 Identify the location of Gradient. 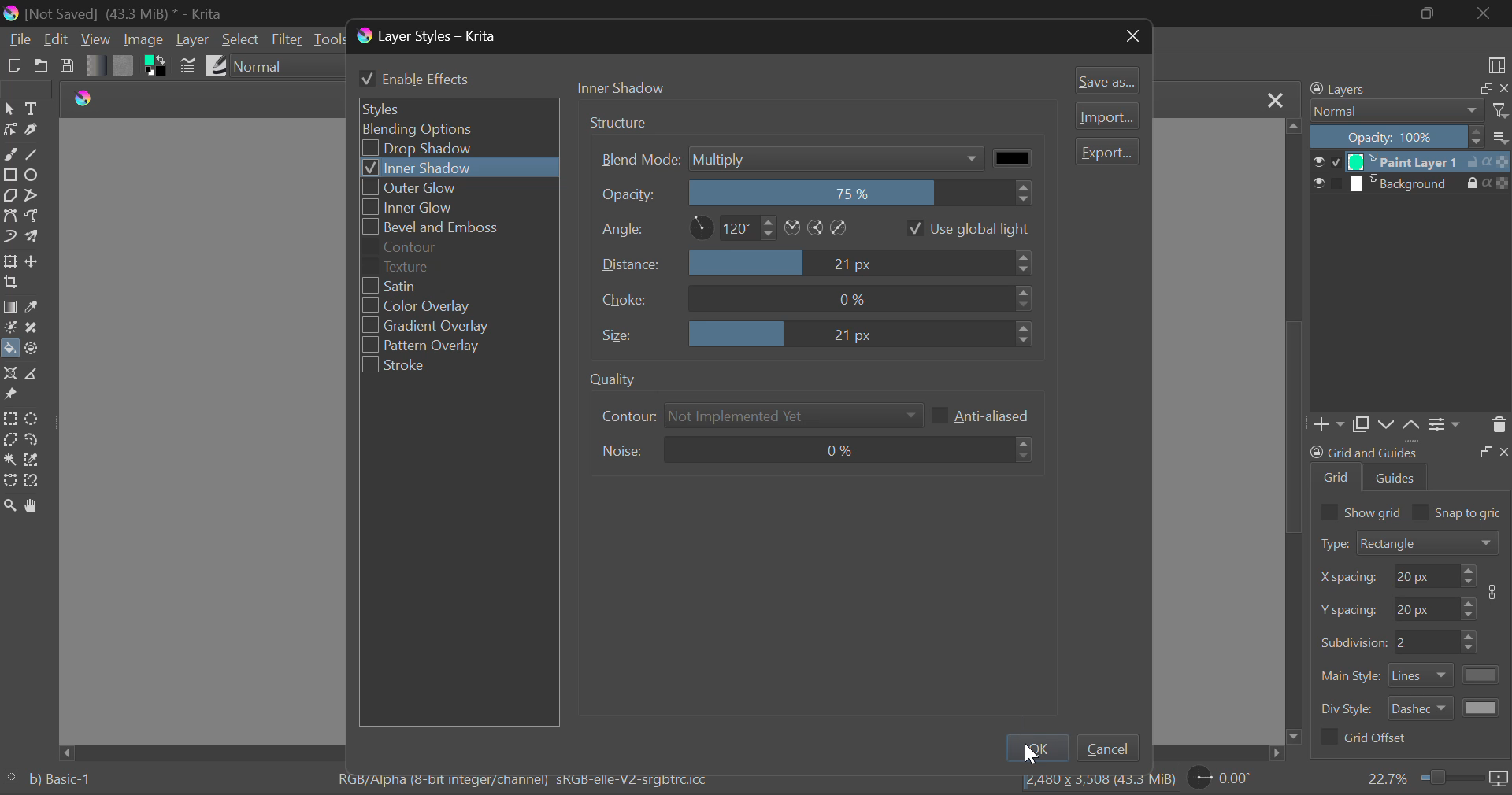
(91, 65).